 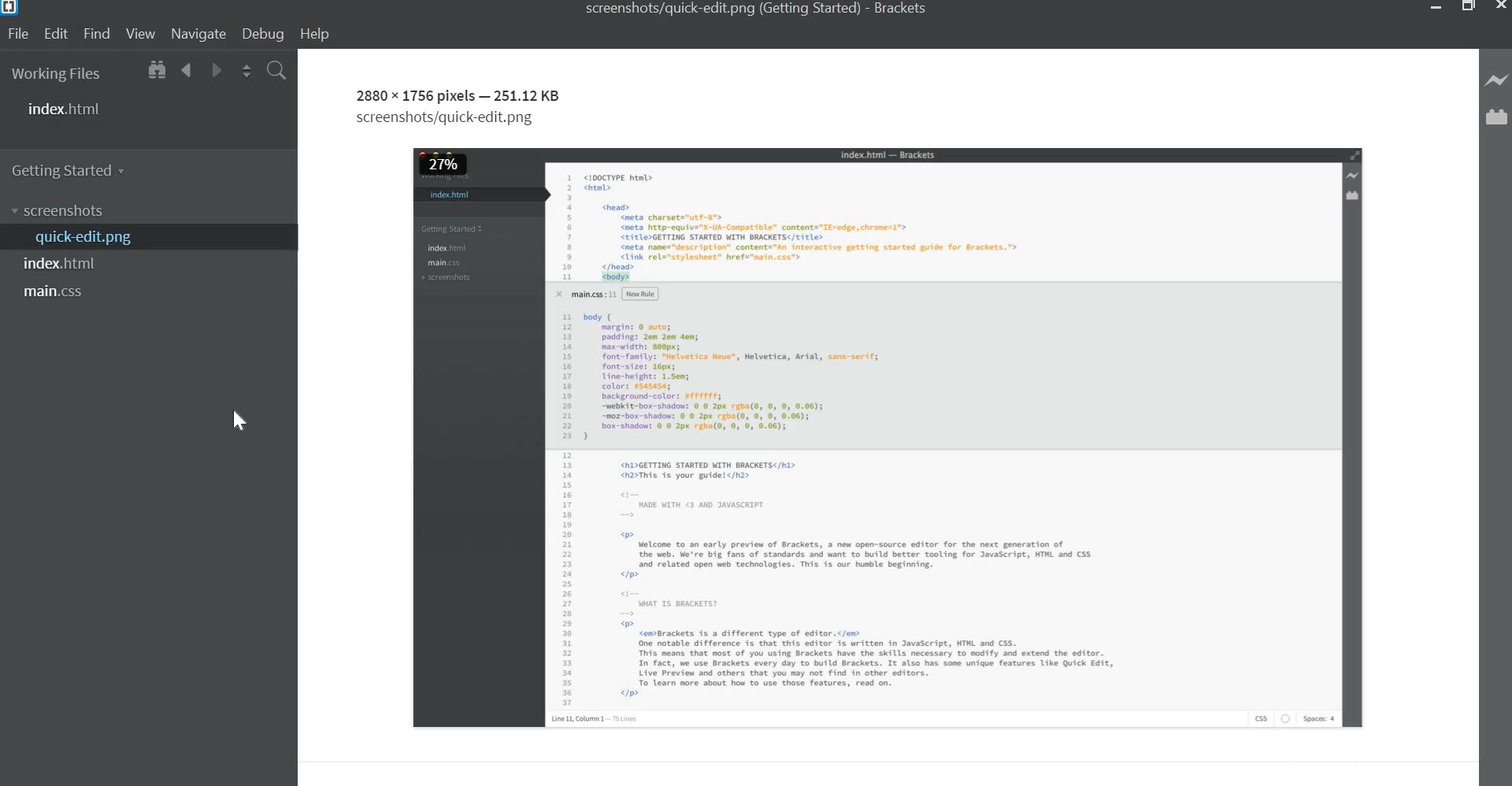 What do you see at coordinates (80, 238) in the screenshot?
I see `quick-edit.png` at bounding box center [80, 238].